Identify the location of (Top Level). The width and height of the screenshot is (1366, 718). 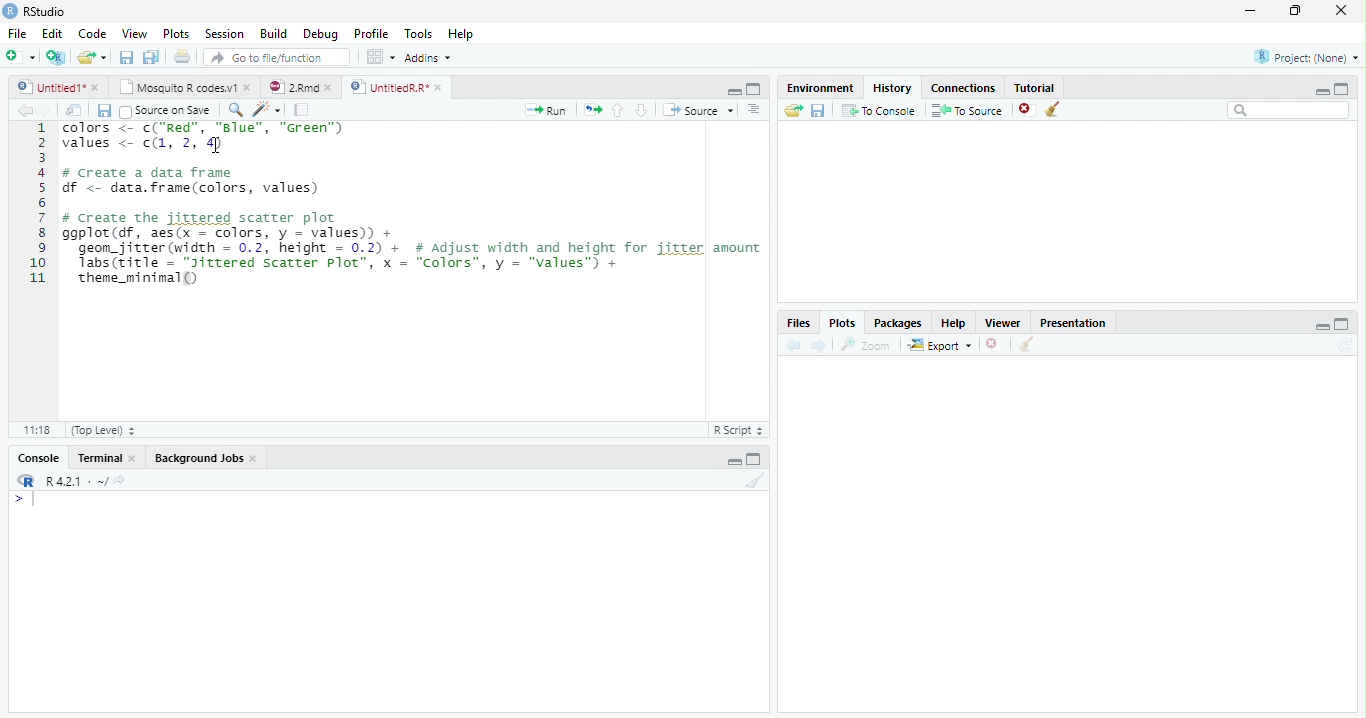
(102, 430).